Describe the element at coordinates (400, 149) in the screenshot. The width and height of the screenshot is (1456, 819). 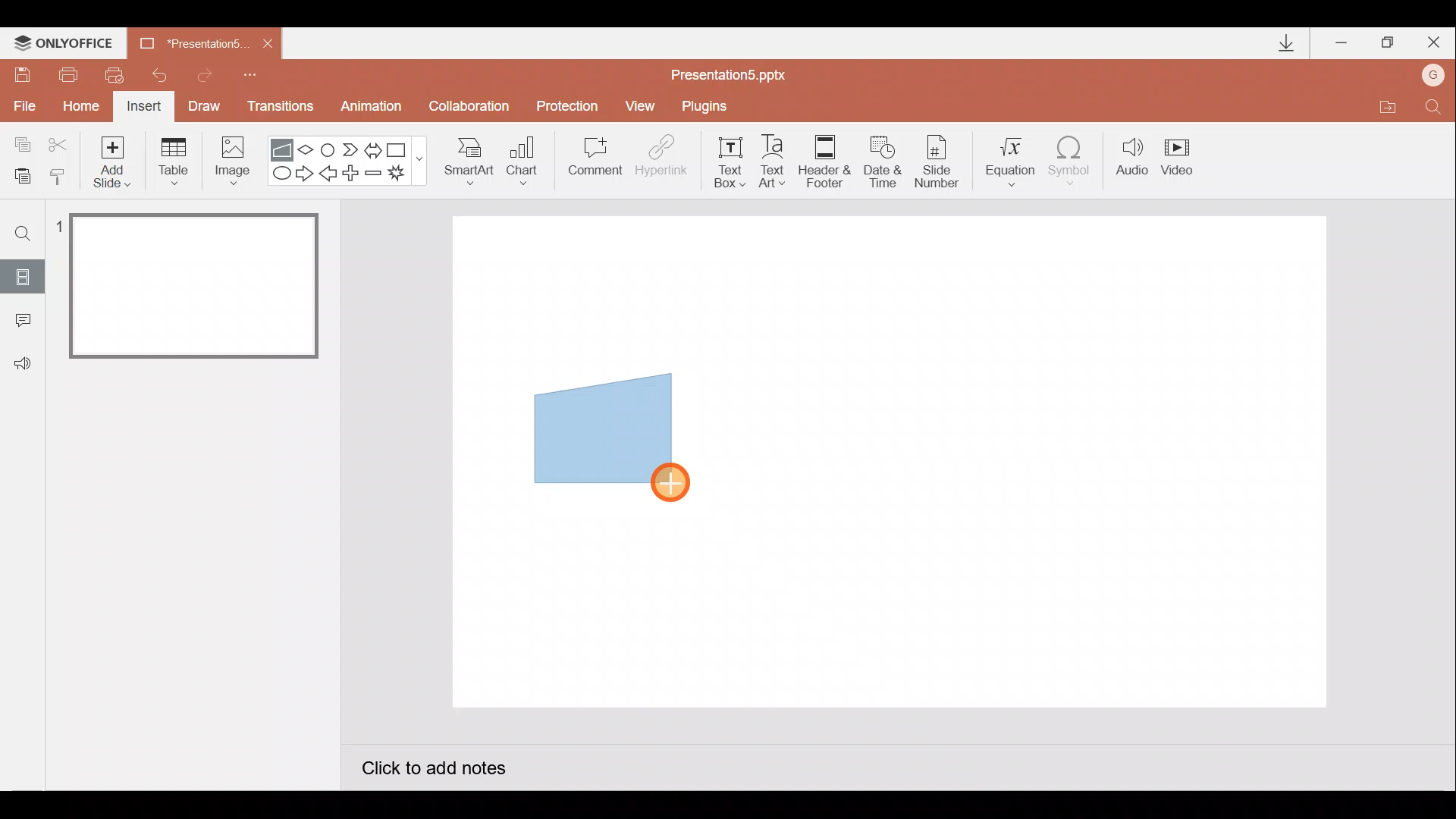
I see `Rectangle` at that location.